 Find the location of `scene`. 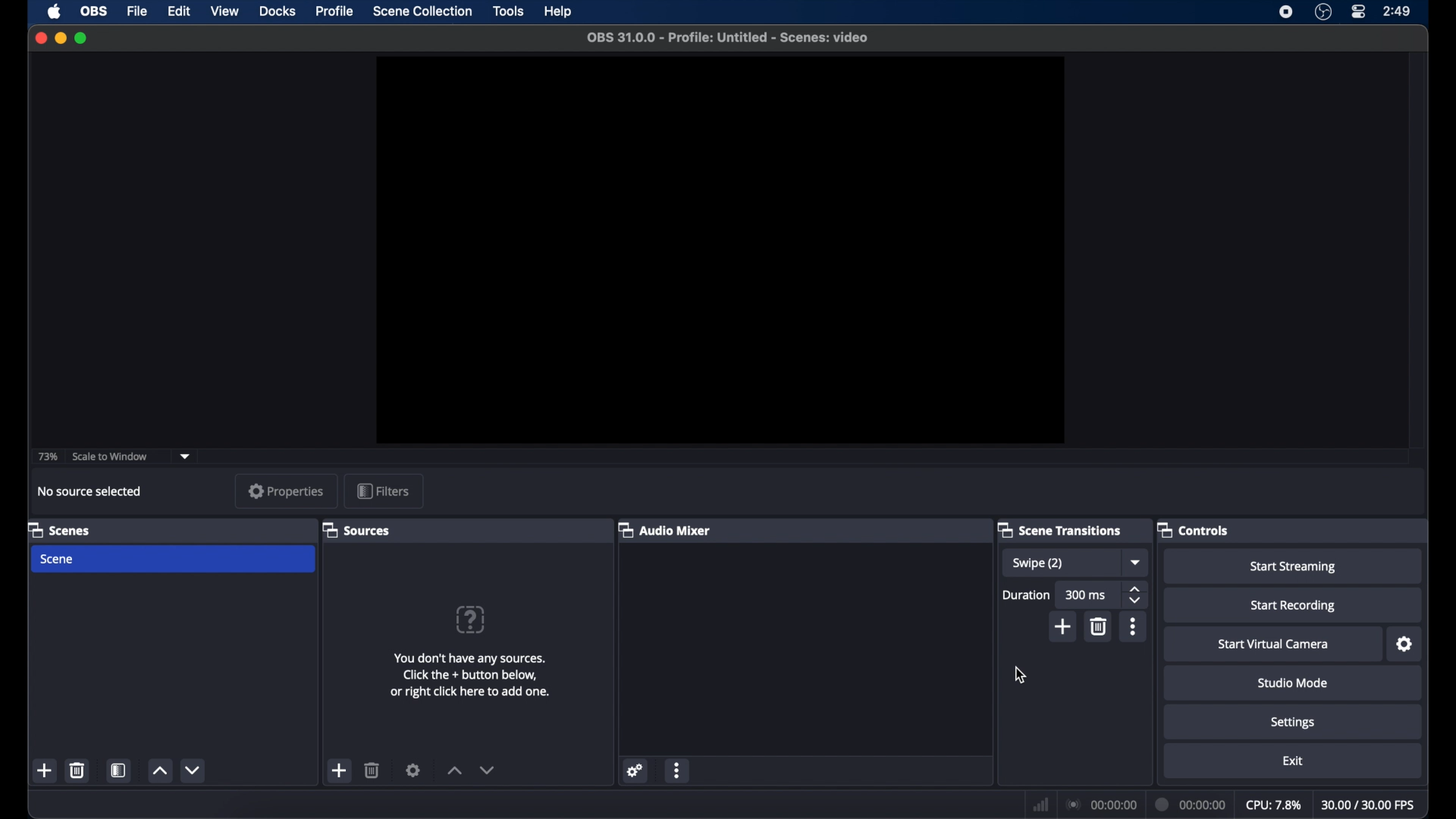

scene is located at coordinates (58, 559).